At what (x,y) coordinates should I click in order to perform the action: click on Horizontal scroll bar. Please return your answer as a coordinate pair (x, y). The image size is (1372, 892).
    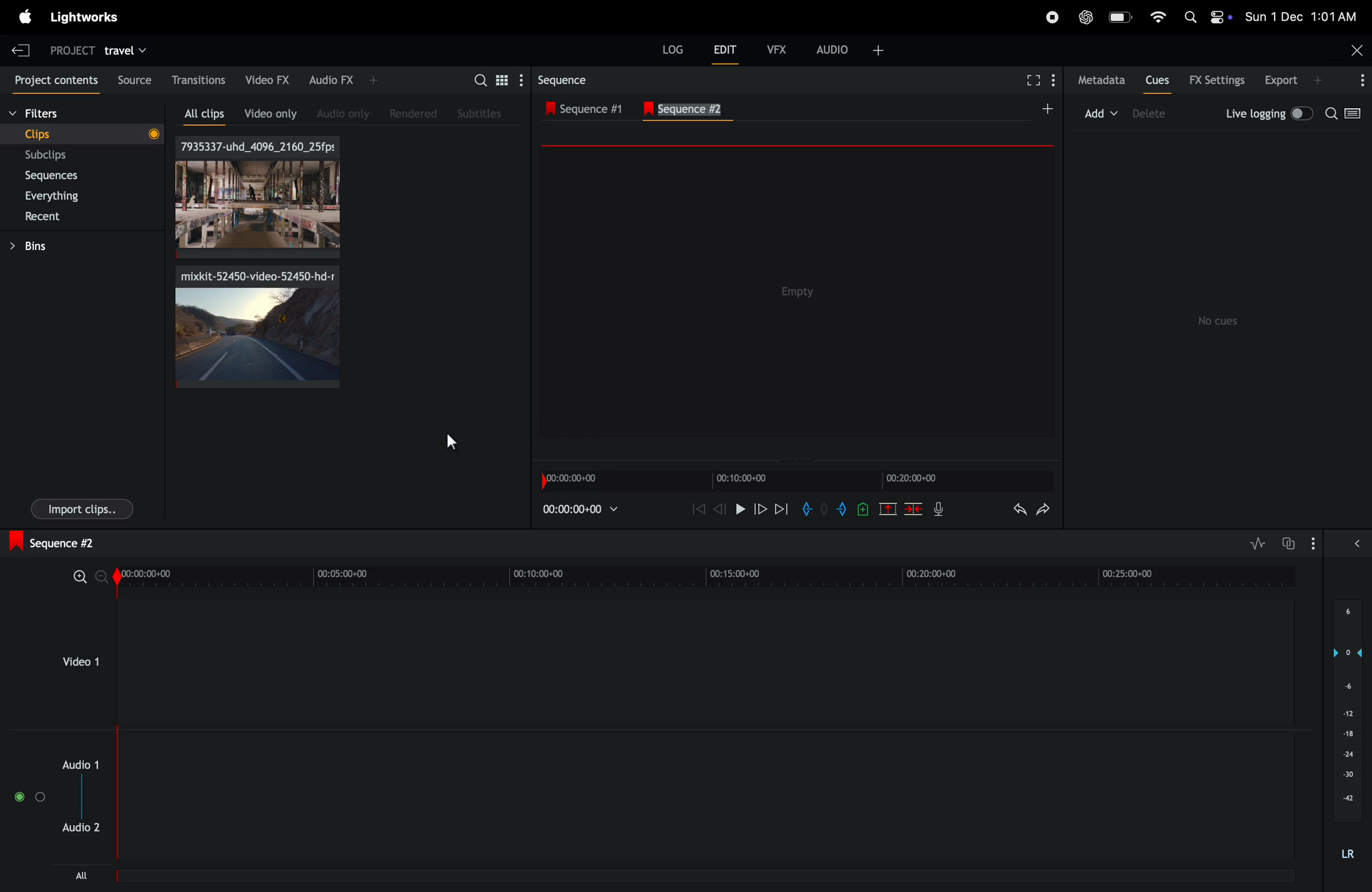
    Looking at the image, I should click on (310, 879).